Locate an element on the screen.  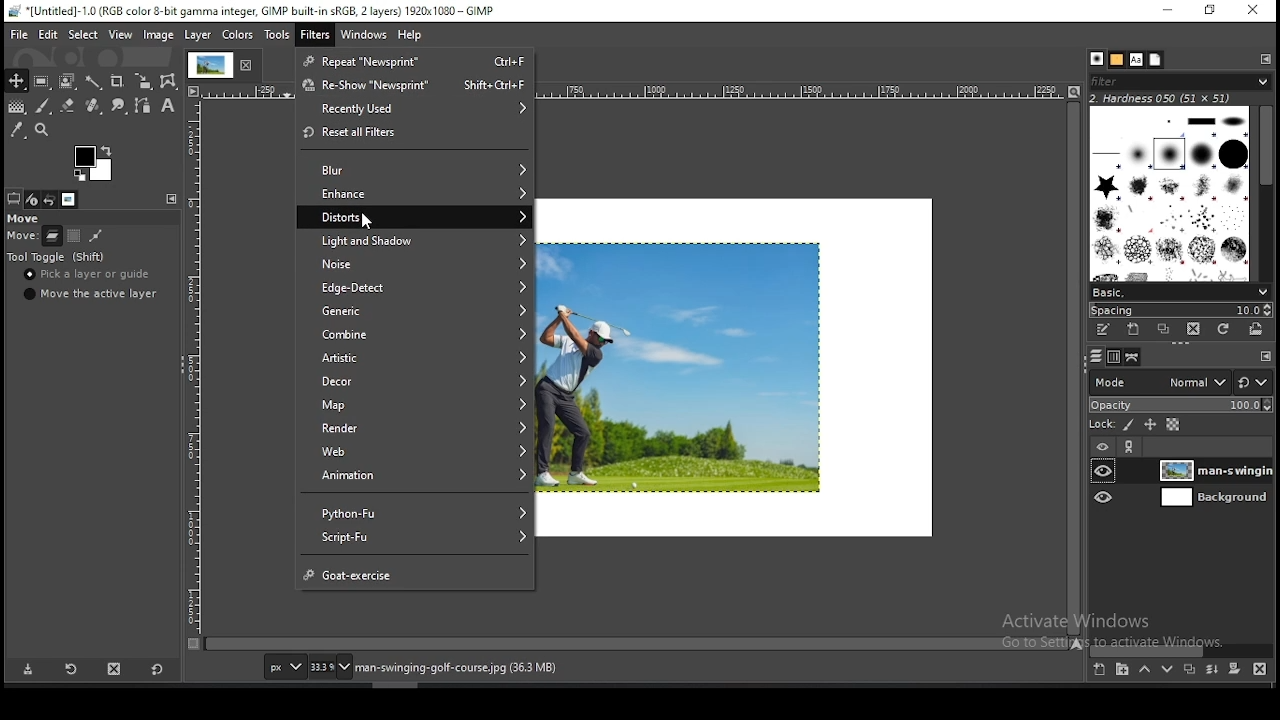
tools is located at coordinates (275, 35).